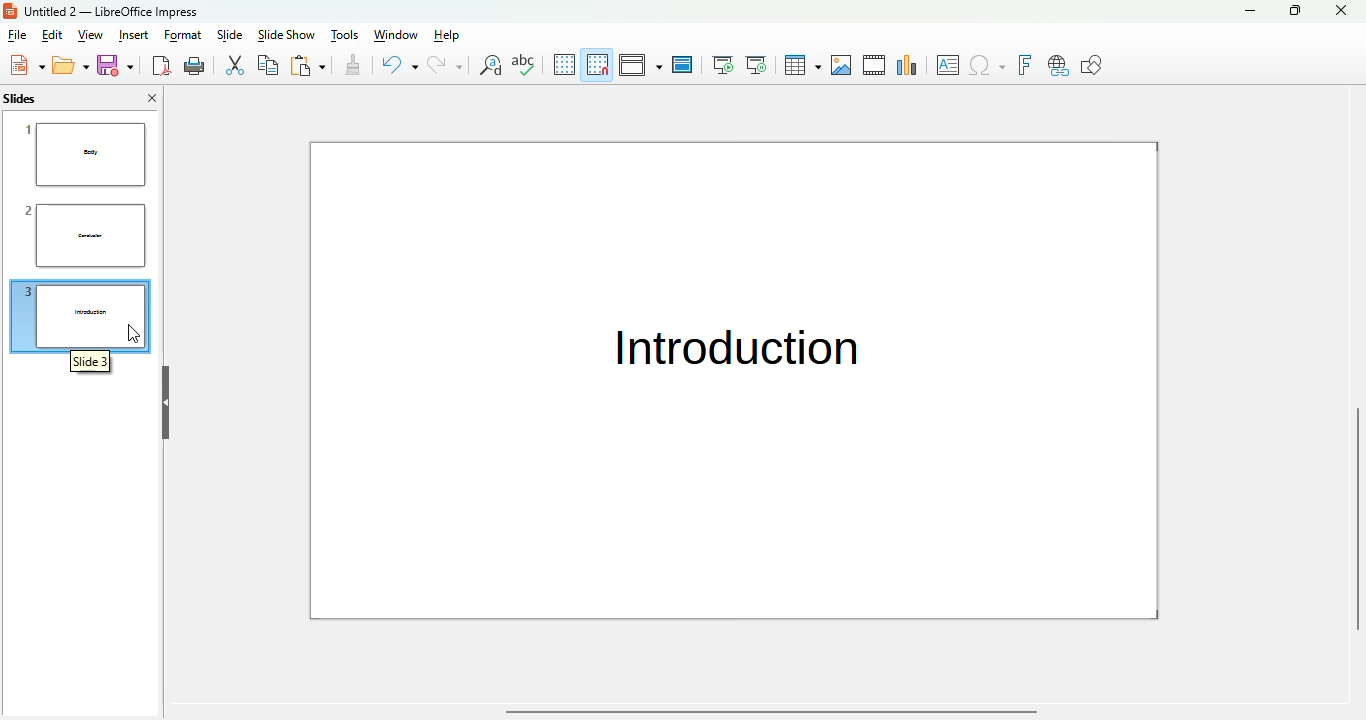  Describe the element at coordinates (268, 64) in the screenshot. I see `copy` at that location.